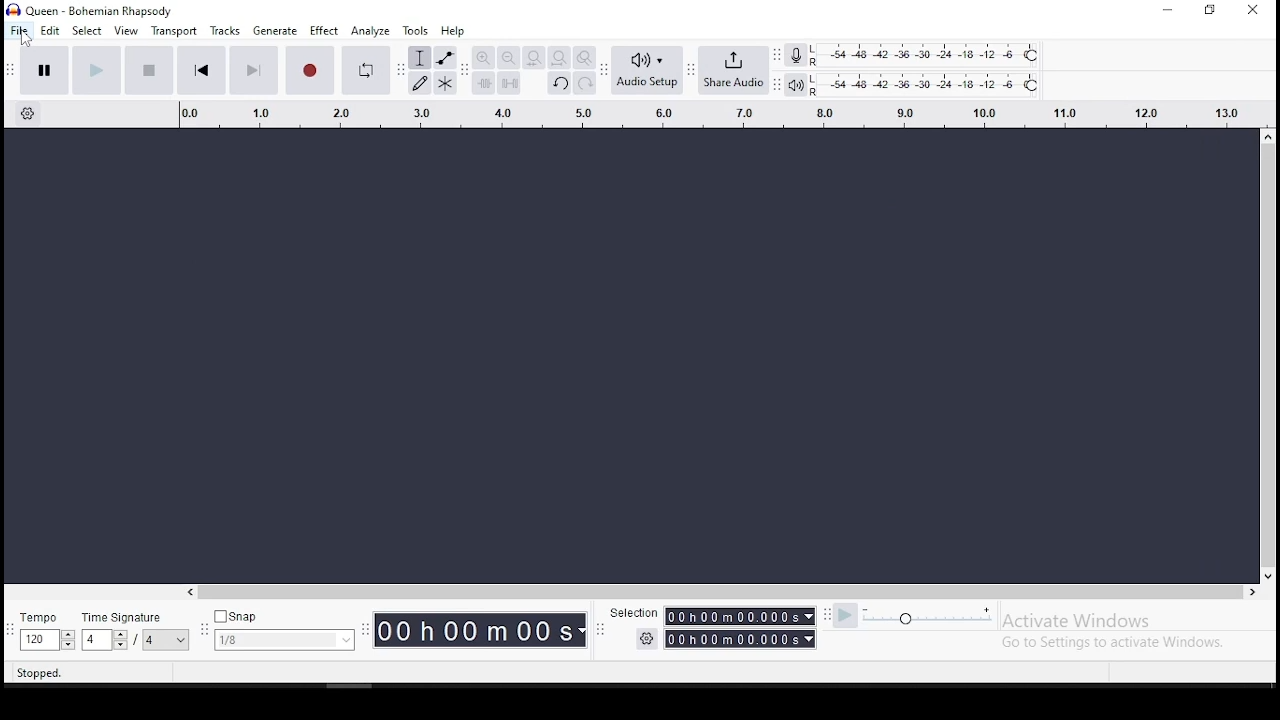 Image resolution: width=1280 pixels, height=720 pixels. What do you see at coordinates (92, 9) in the screenshot?
I see `icon` at bounding box center [92, 9].